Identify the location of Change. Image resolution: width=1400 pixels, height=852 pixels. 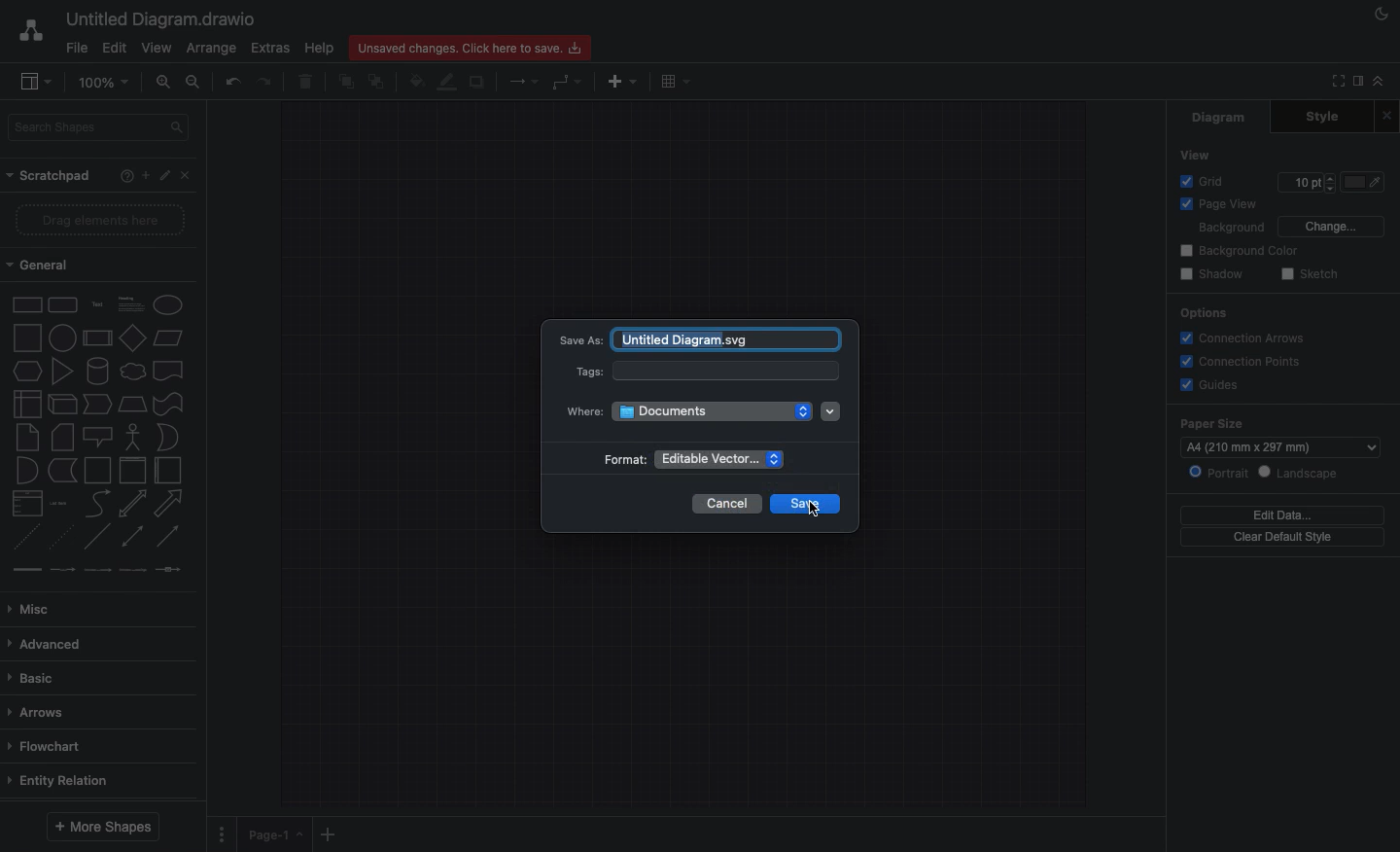
(1331, 225).